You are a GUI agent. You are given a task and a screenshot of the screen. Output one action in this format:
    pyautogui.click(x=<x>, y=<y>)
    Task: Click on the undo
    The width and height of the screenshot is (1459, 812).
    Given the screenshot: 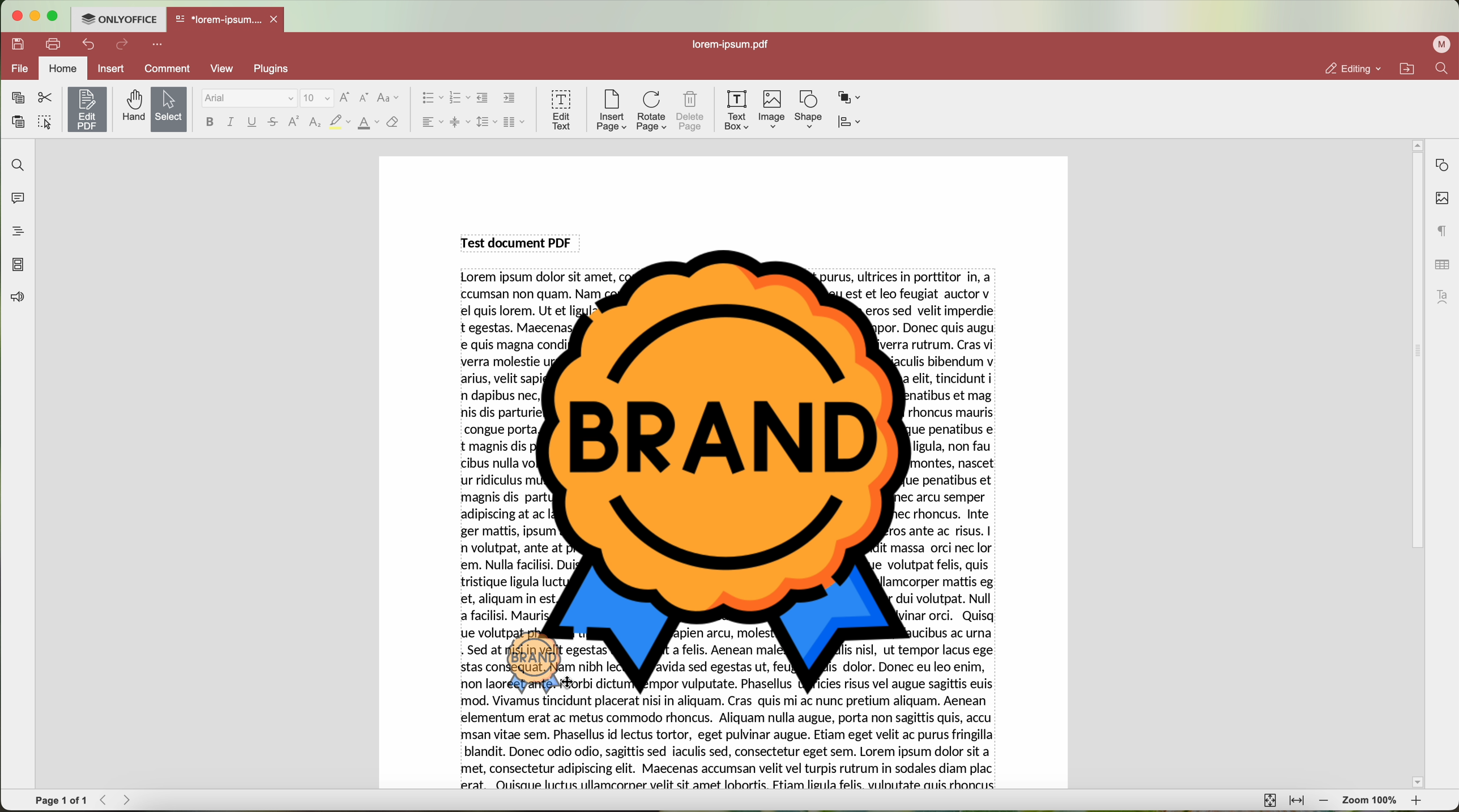 What is the action you would take?
    pyautogui.click(x=90, y=44)
    